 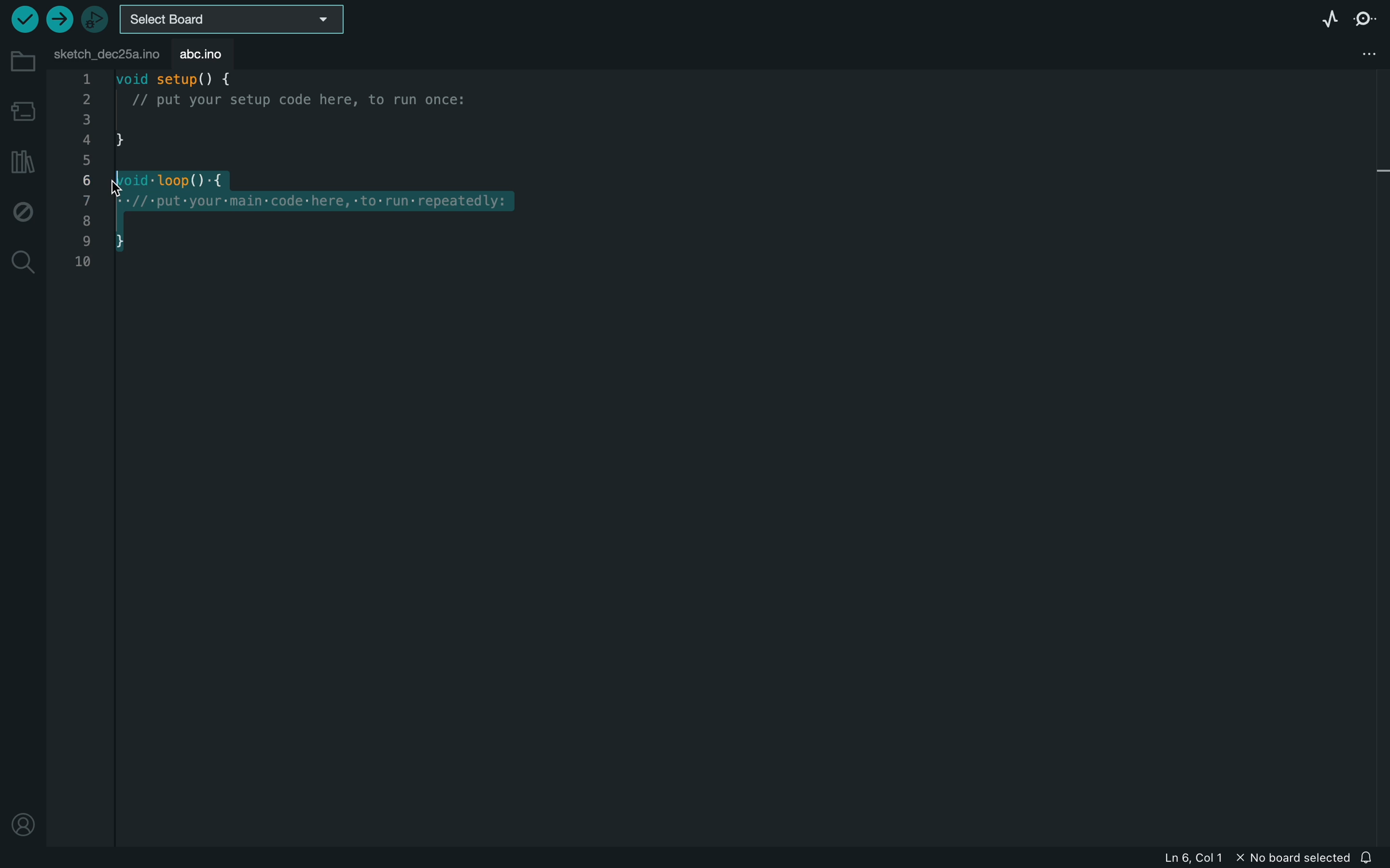 I want to click on cursor, so click(x=137, y=181).